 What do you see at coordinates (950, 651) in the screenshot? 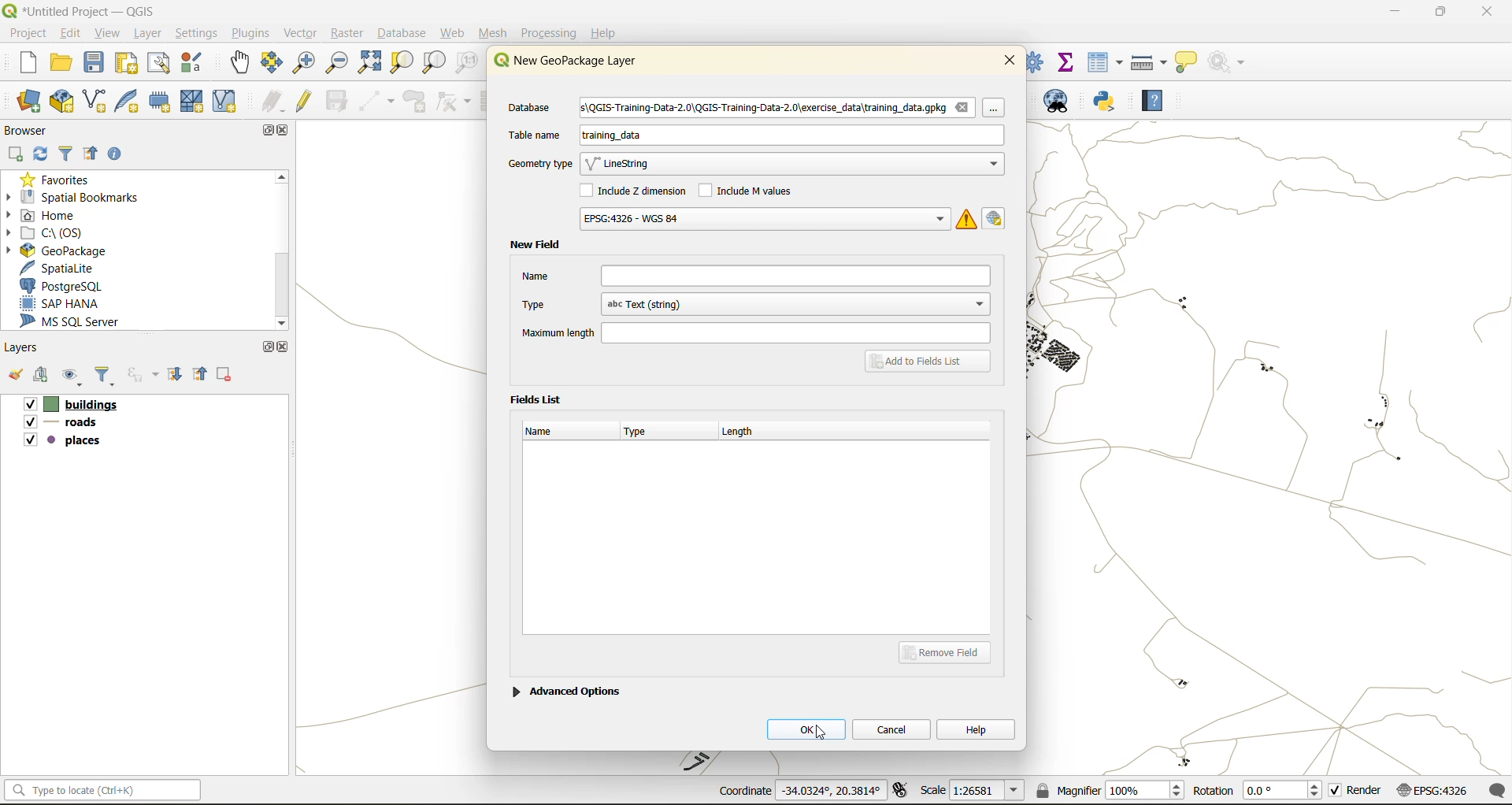
I see `remove field` at bounding box center [950, 651].